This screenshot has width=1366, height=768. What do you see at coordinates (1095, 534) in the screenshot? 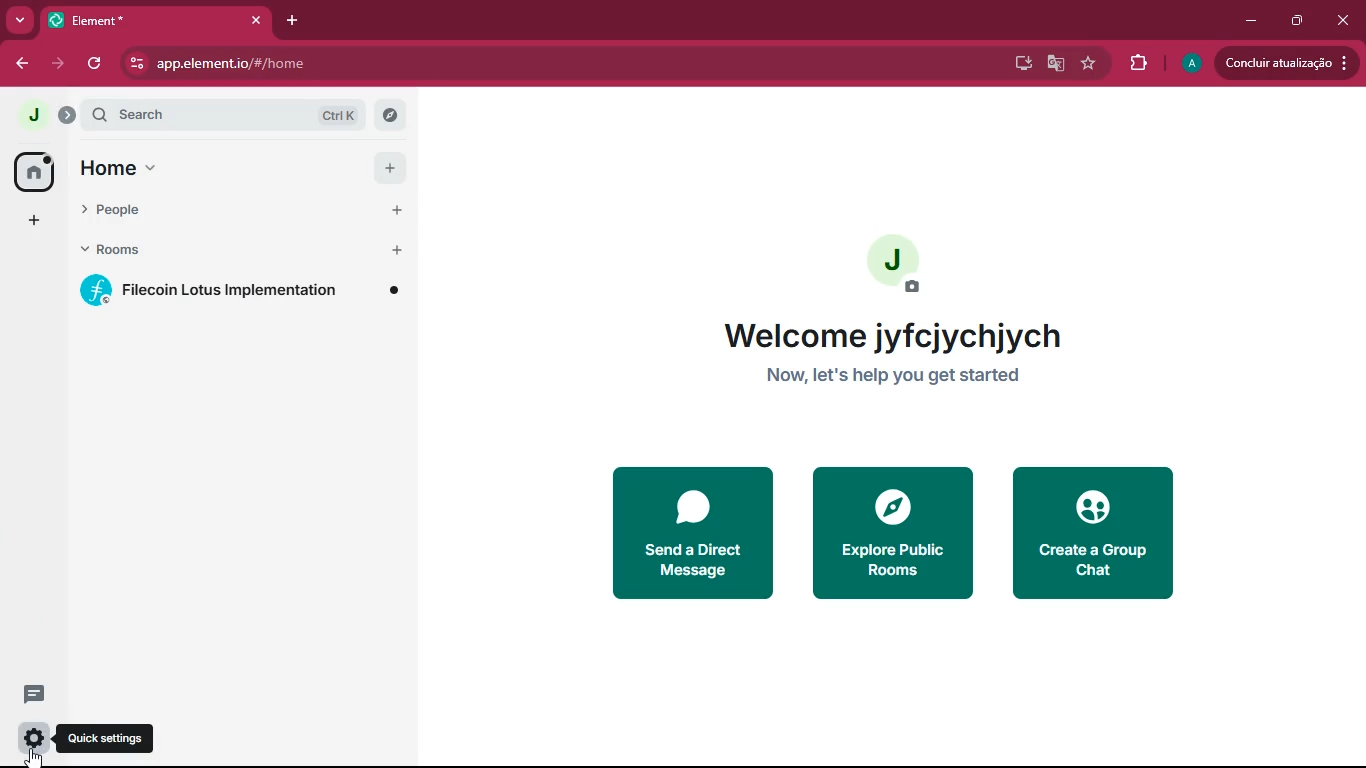
I see `create a group chat` at bounding box center [1095, 534].